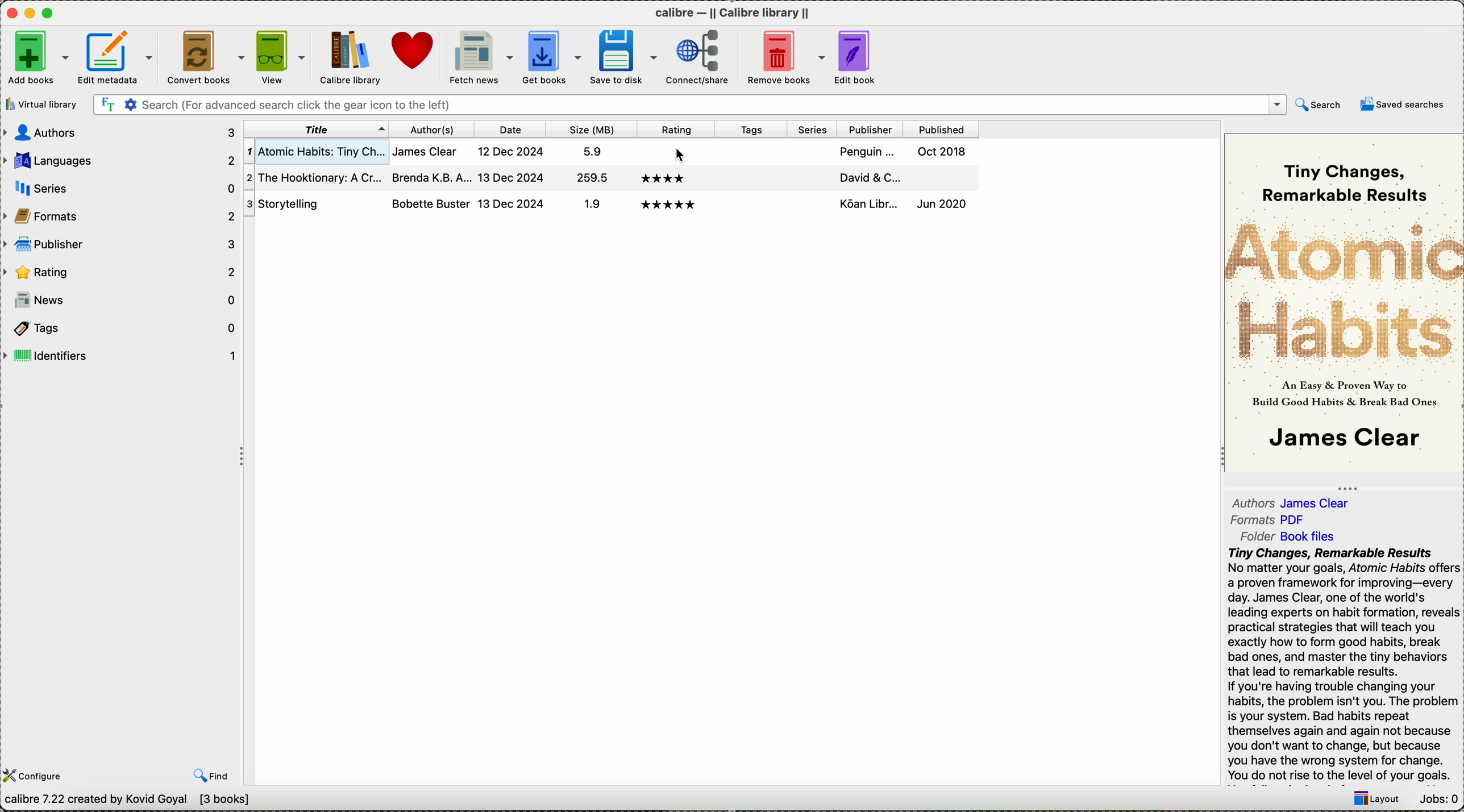  What do you see at coordinates (1406, 105) in the screenshot?
I see `saved searches` at bounding box center [1406, 105].